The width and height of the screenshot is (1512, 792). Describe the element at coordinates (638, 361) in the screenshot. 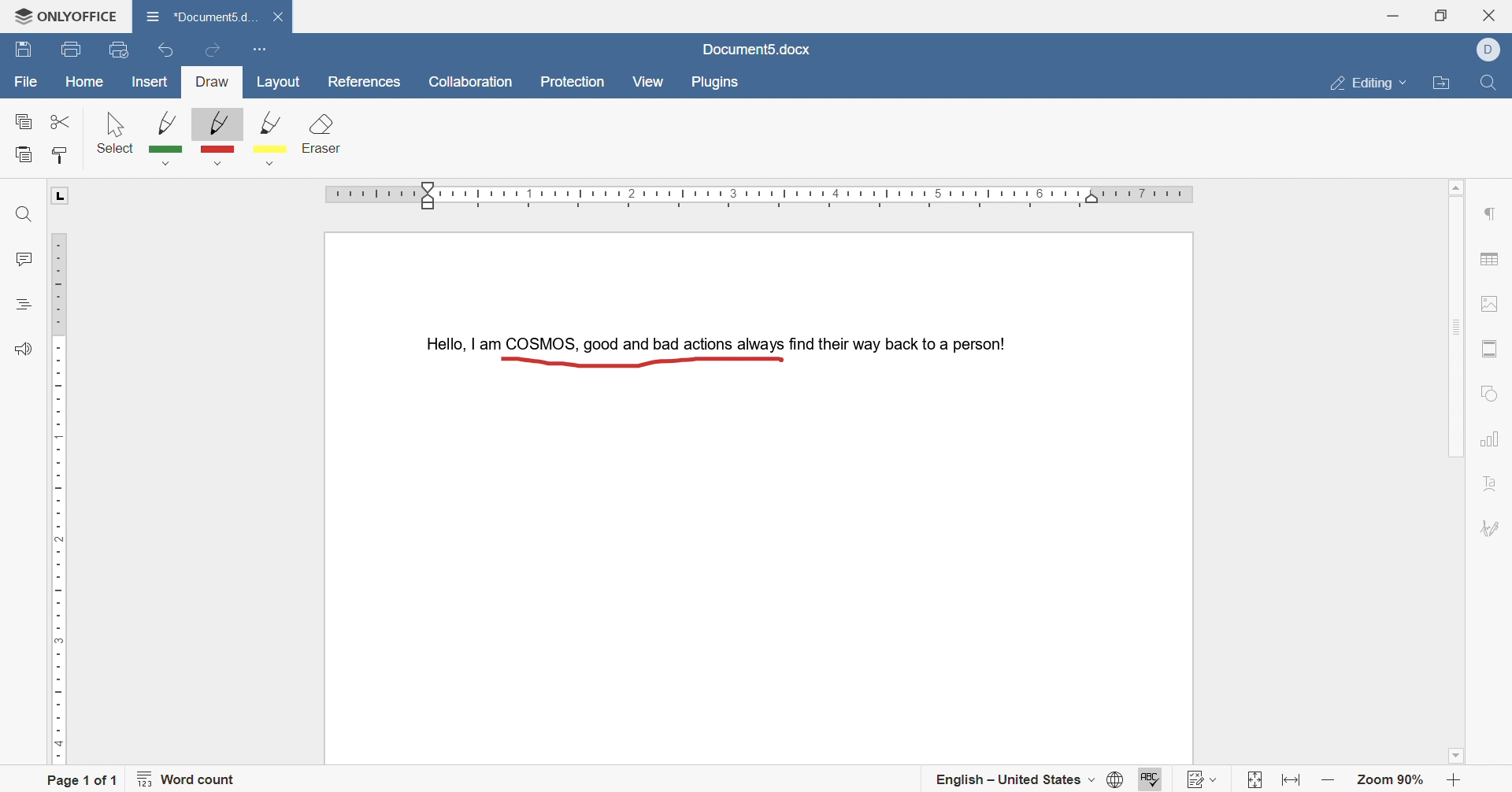

I see `Drawn Line` at that location.